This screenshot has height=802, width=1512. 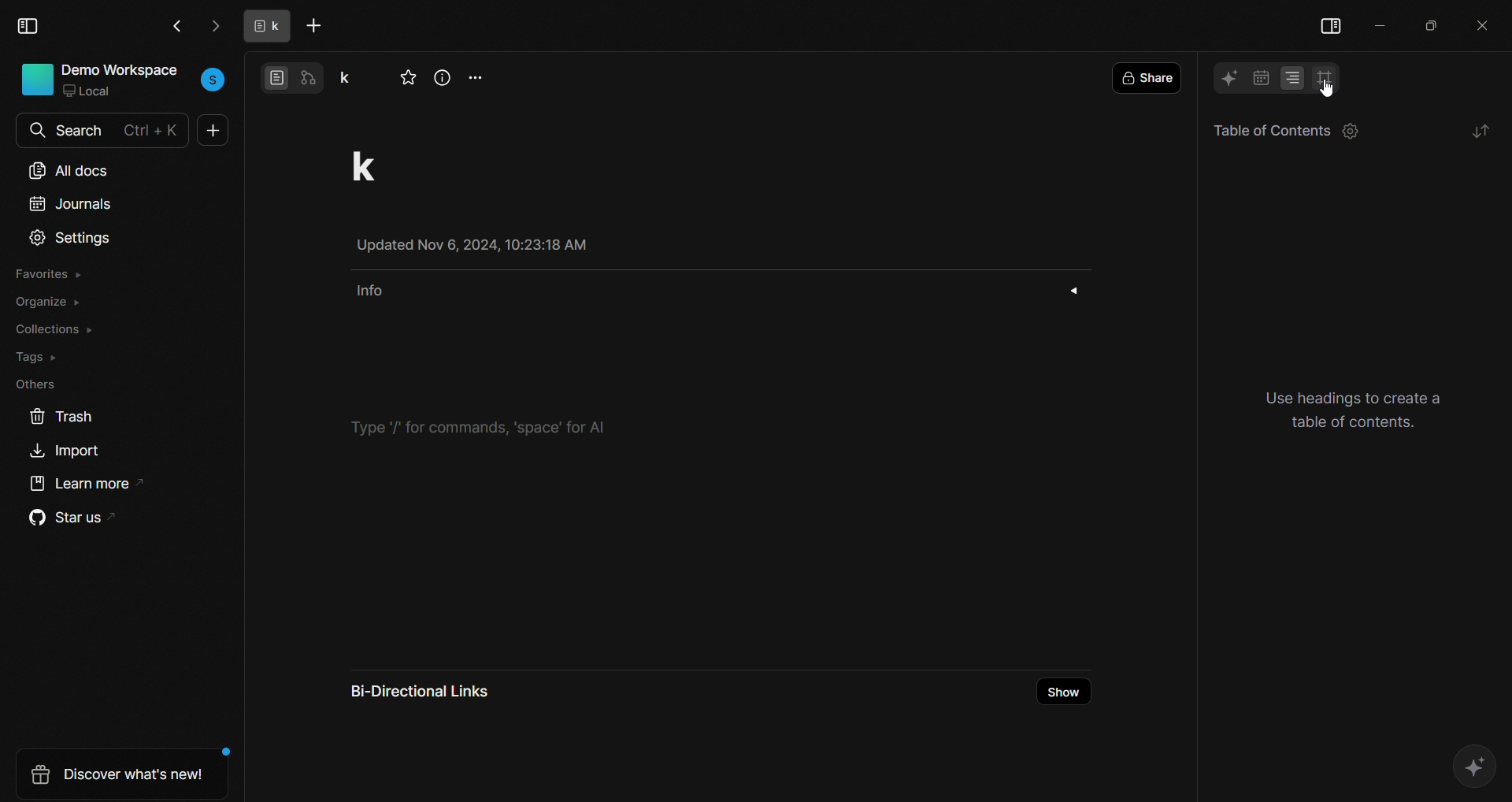 I want to click on sort, so click(x=1480, y=132).